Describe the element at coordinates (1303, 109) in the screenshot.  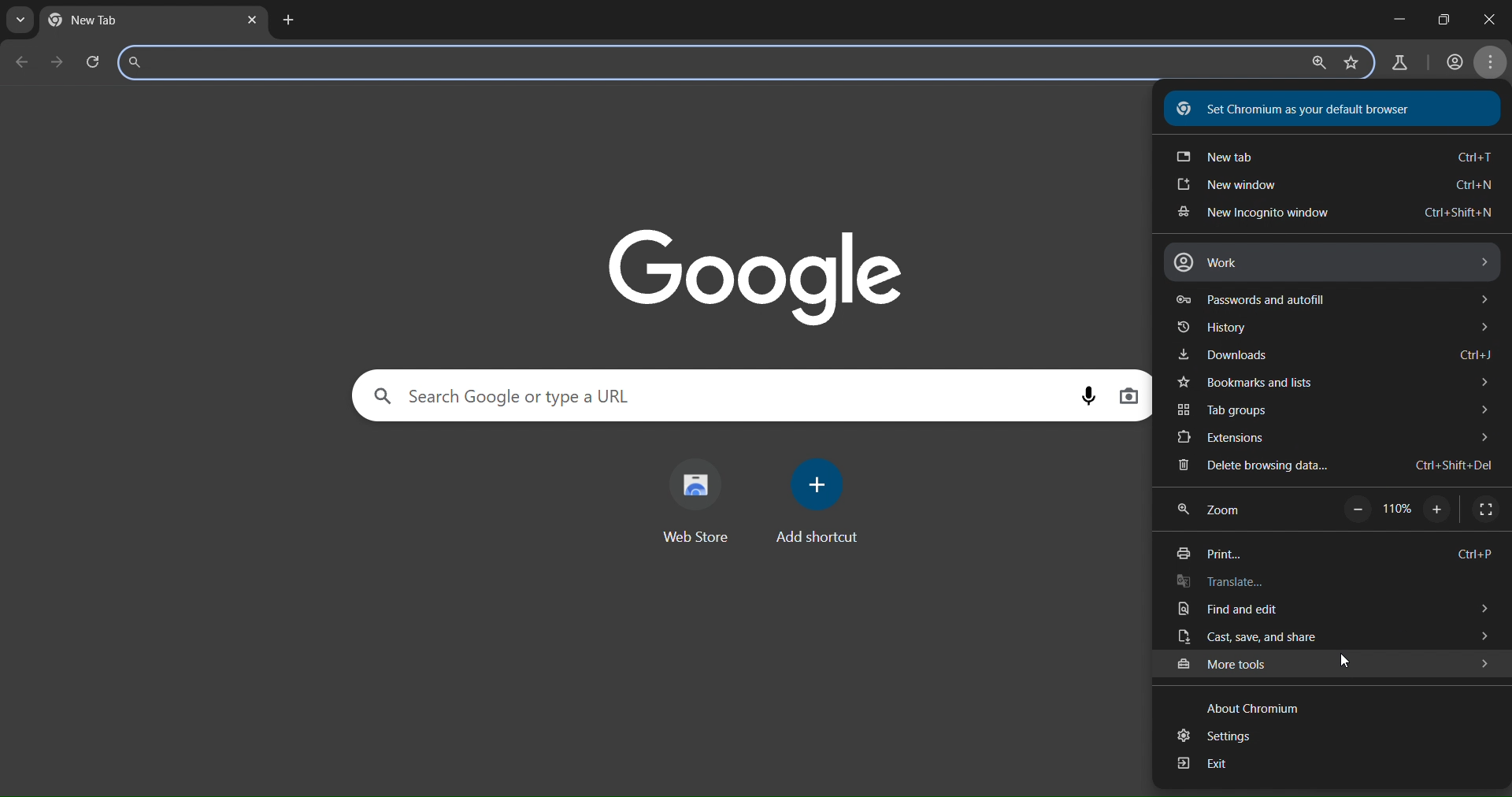
I see `Set chromium as your default browser` at that location.